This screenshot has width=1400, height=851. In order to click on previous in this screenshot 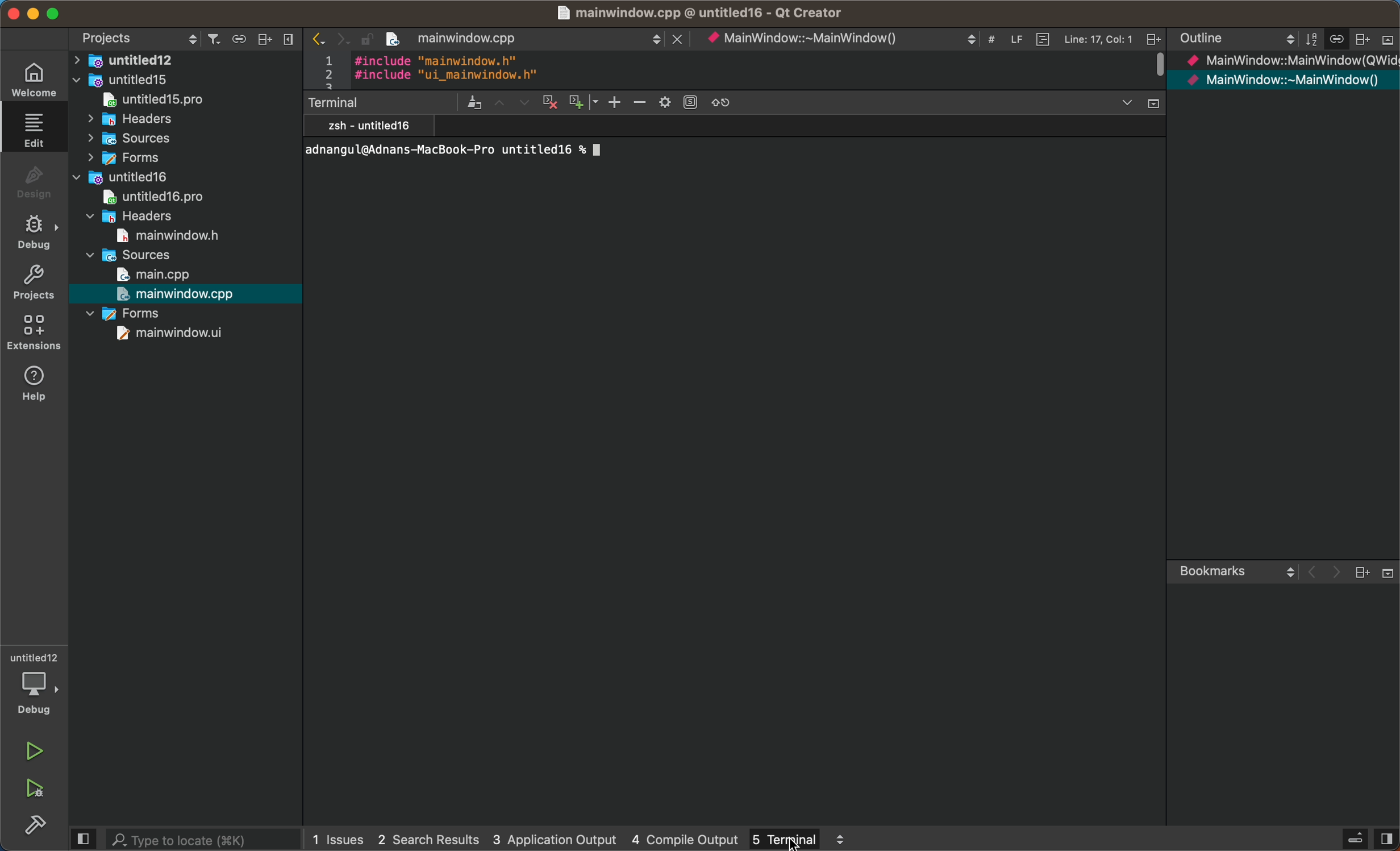, I will do `click(316, 36)`.